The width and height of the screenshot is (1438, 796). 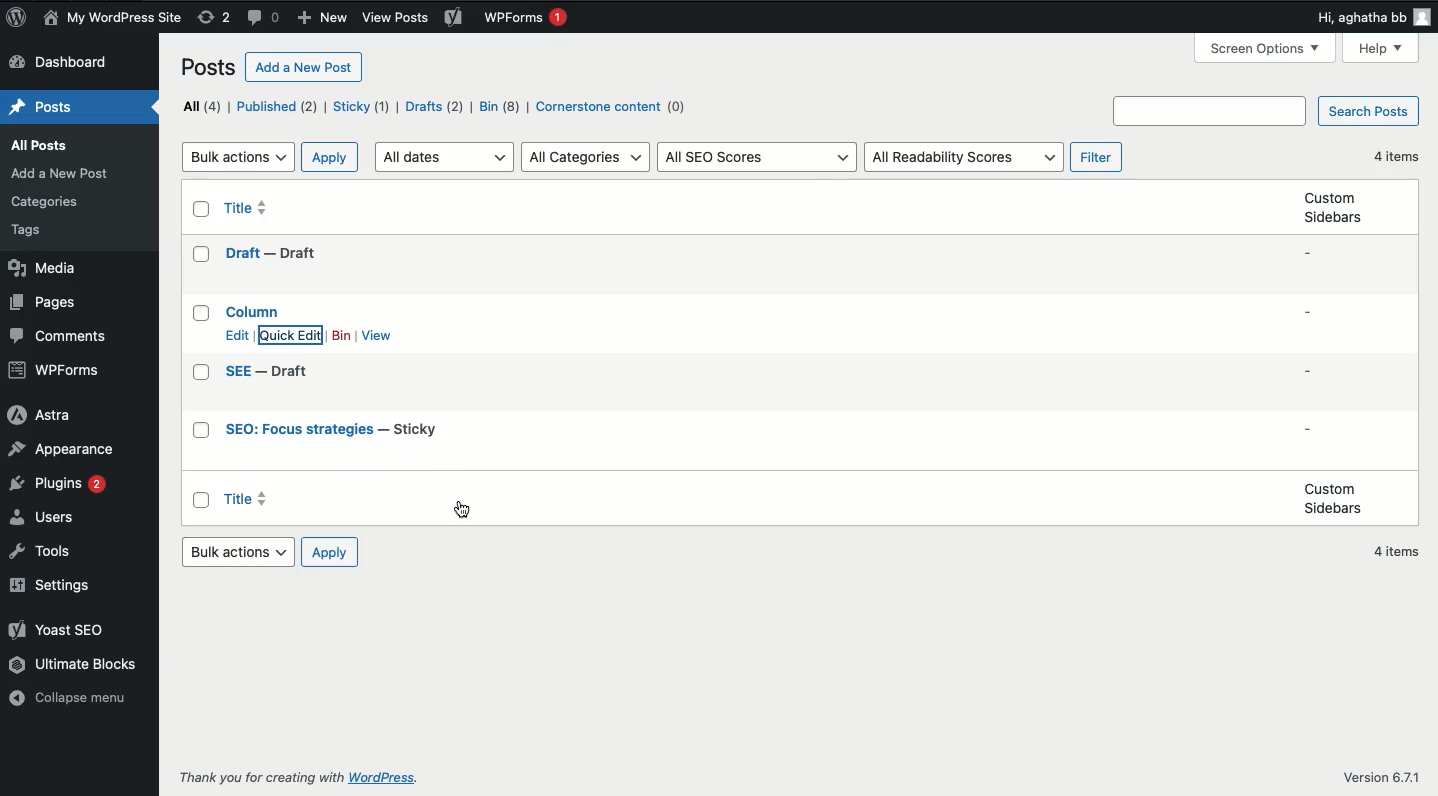 I want to click on Drafts, so click(x=436, y=108).